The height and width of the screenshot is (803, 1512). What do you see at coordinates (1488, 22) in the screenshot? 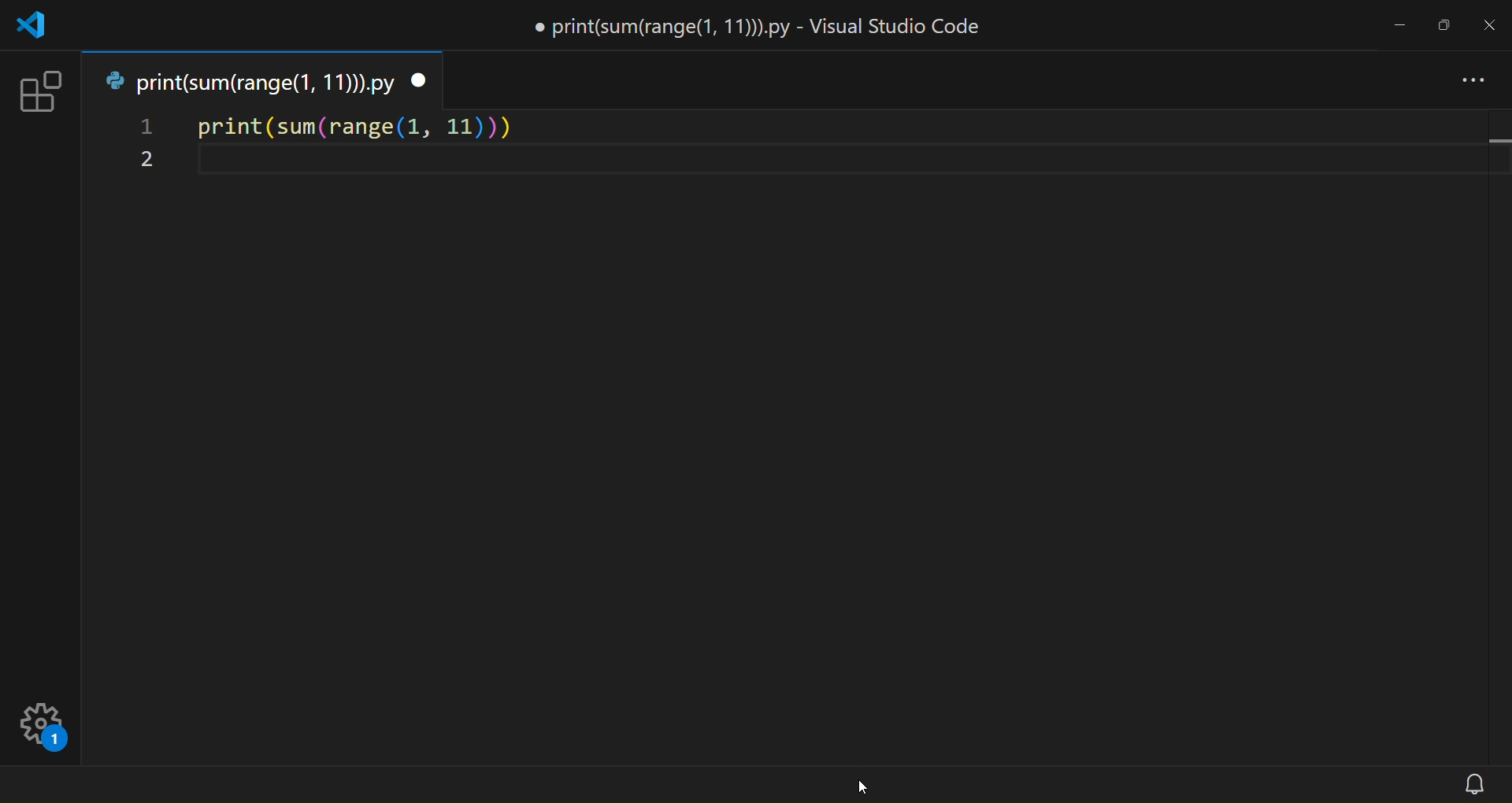
I see `close` at bounding box center [1488, 22].